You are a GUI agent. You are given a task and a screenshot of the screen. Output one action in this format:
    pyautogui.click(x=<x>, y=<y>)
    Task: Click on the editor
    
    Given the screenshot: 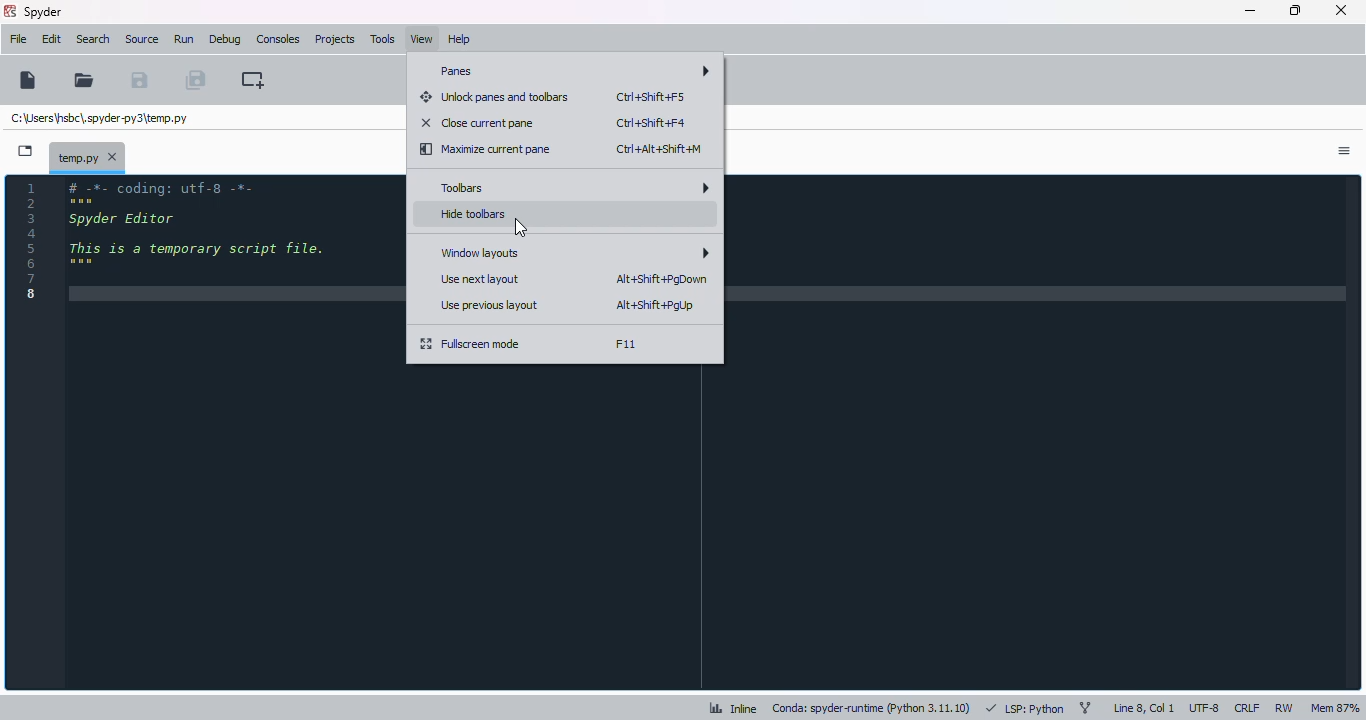 What is the action you would take?
    pyautogui.click(x=230, y=428)
    